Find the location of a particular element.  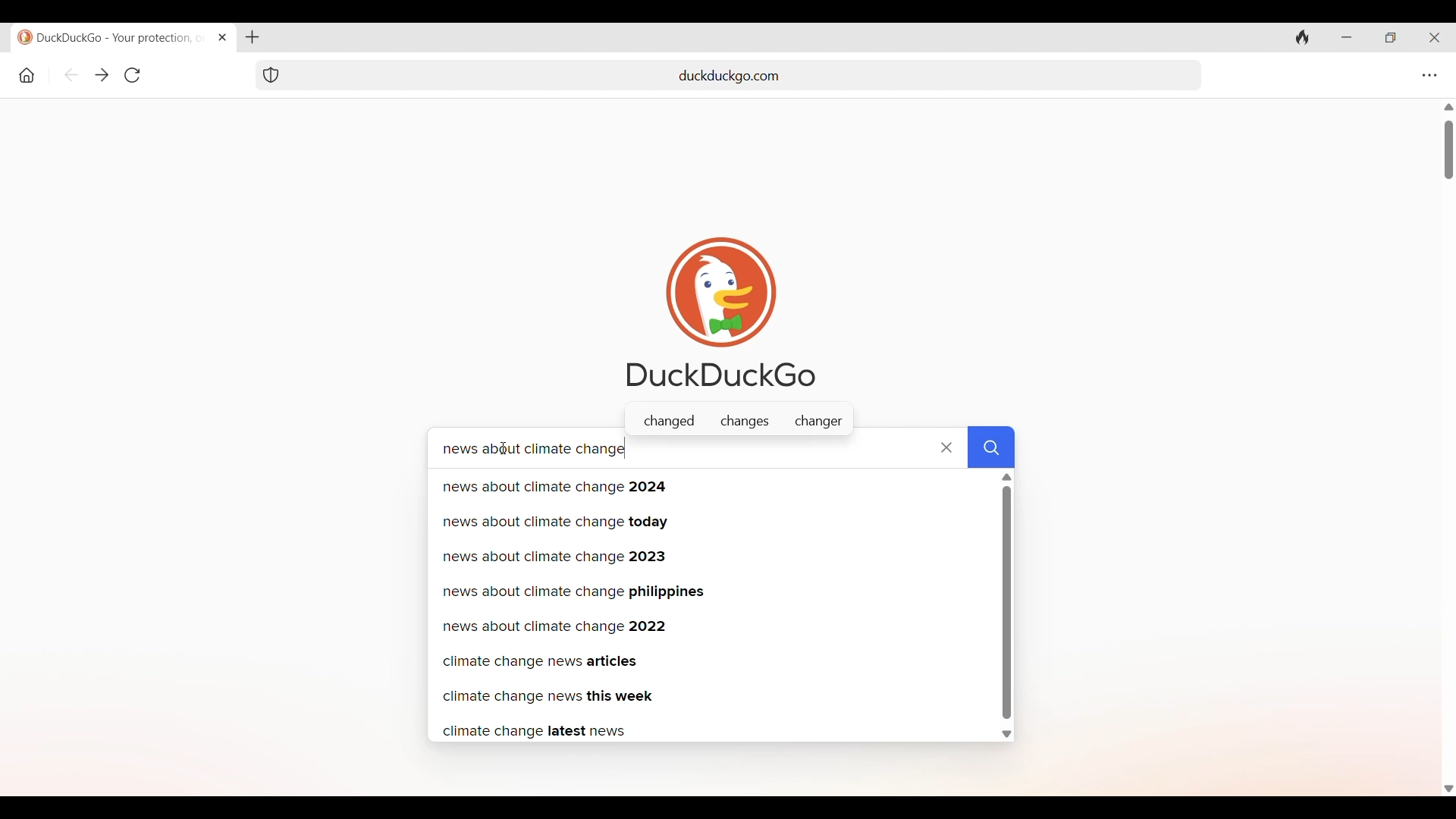

Go backward is located at coordinates (101, 74).